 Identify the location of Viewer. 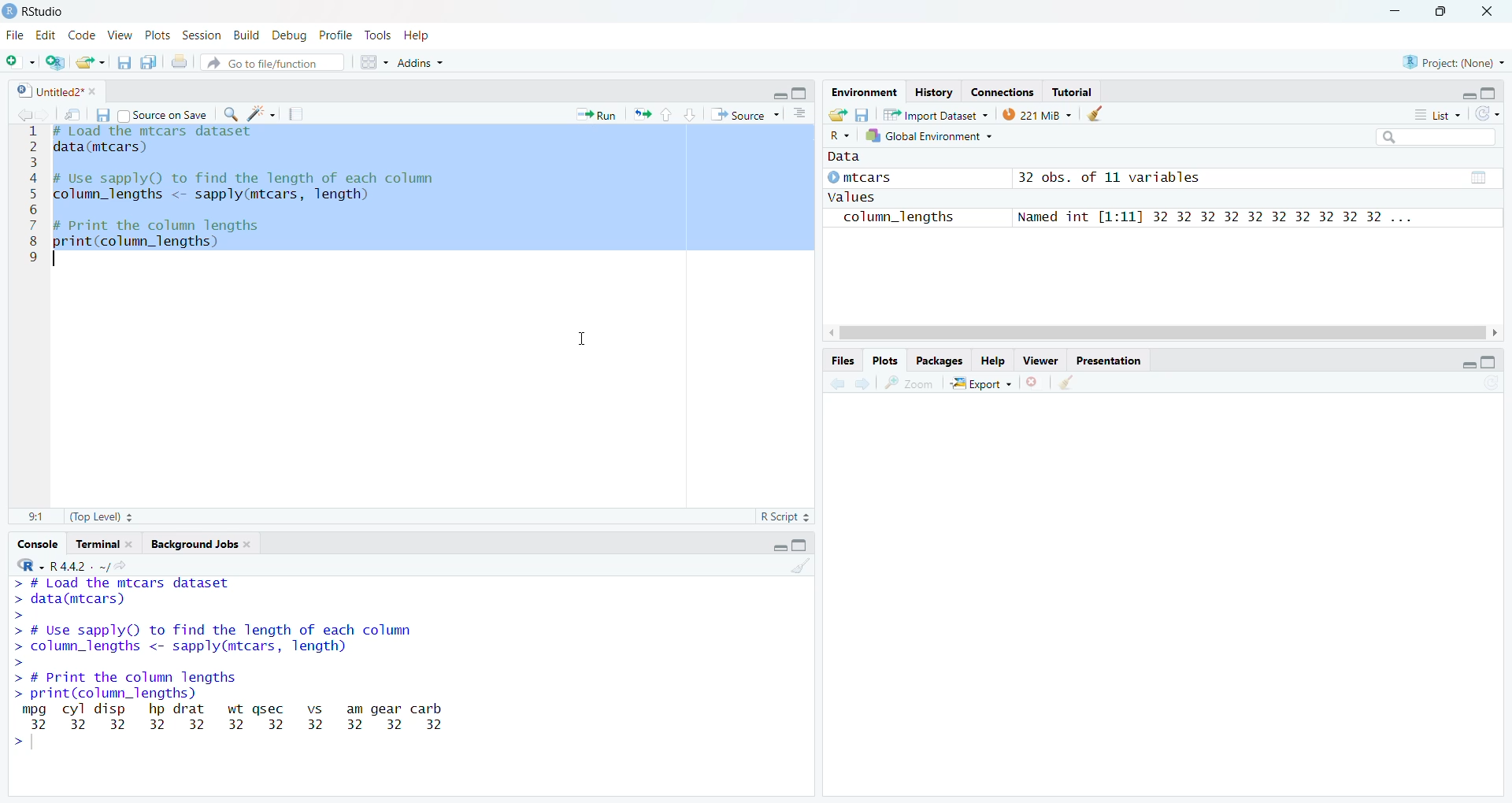
(1039, 361).